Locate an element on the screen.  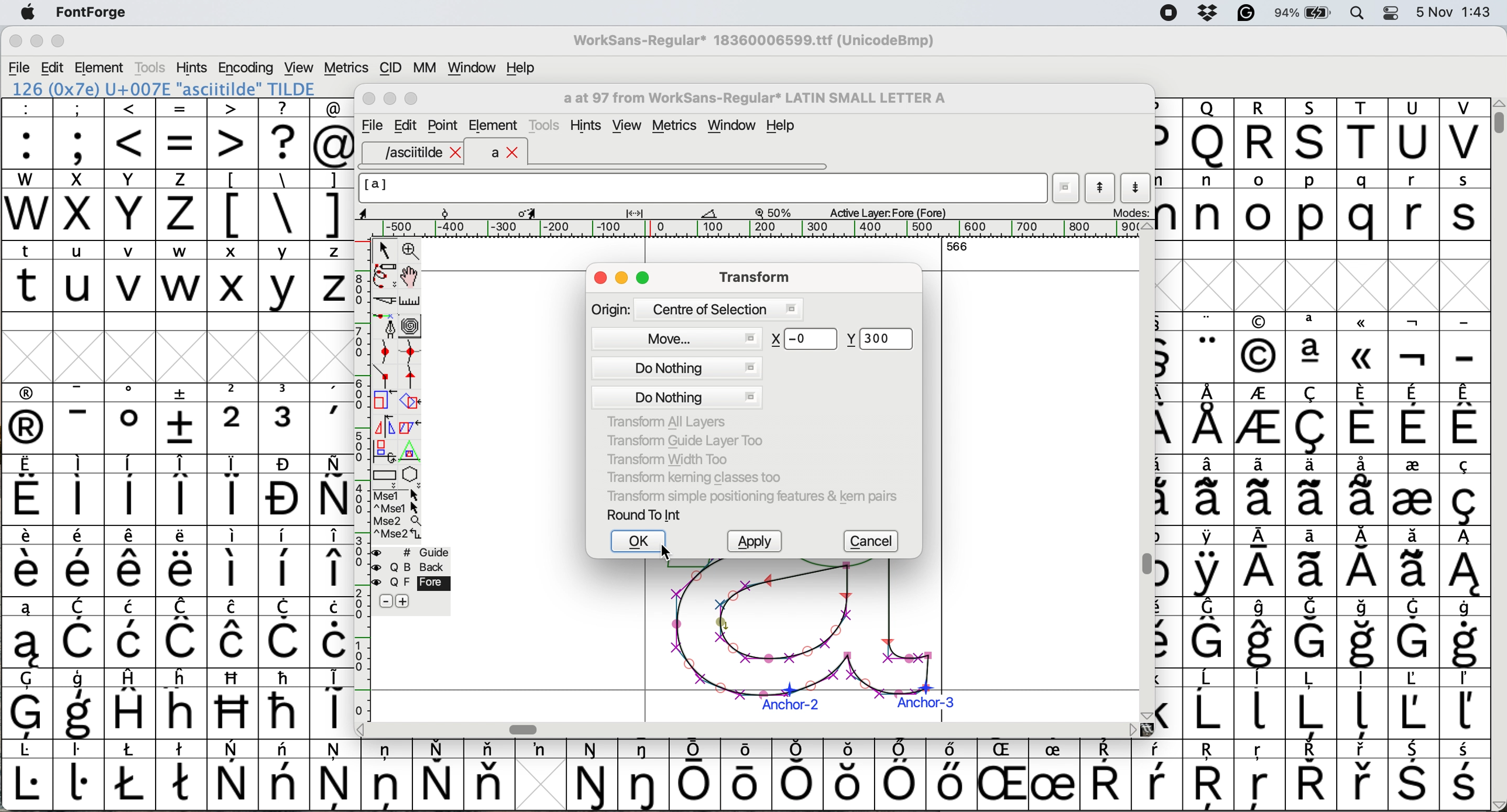
symbol is located at coordinates (749, 773).